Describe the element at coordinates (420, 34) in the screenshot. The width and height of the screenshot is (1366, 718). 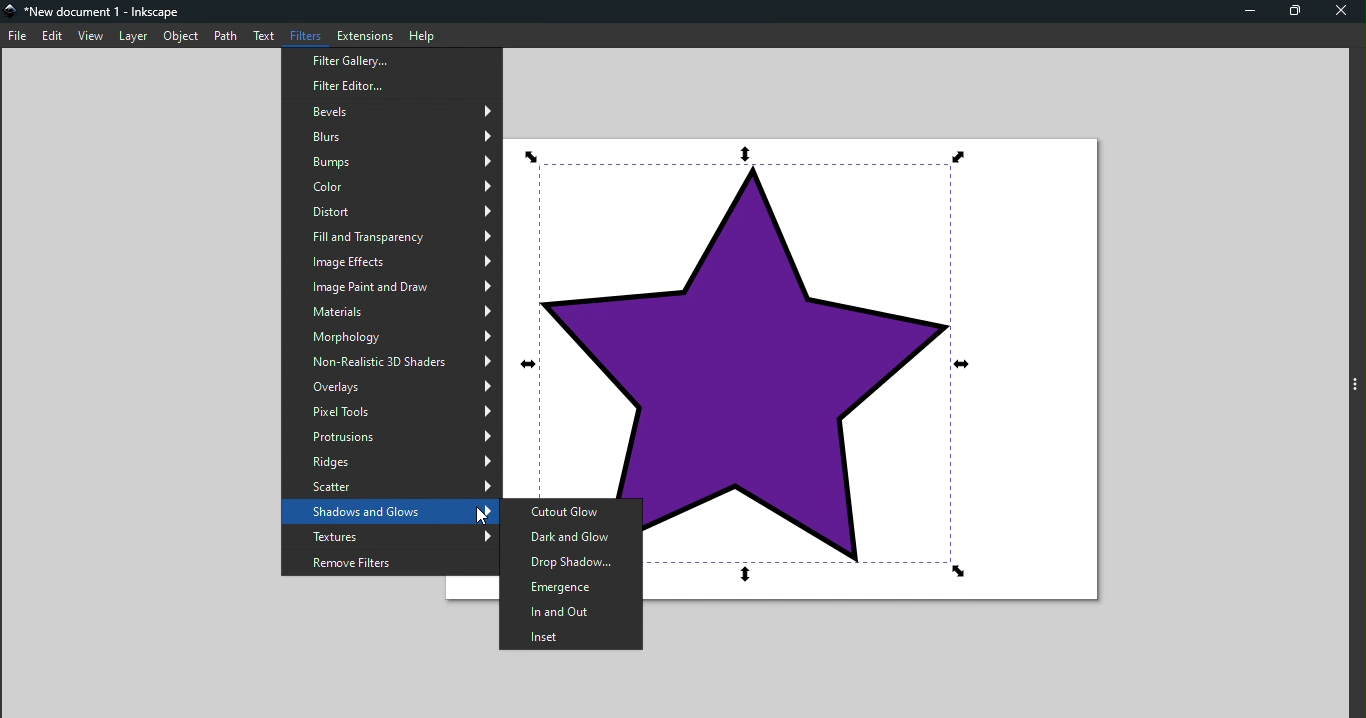
I see `Help` at that location.